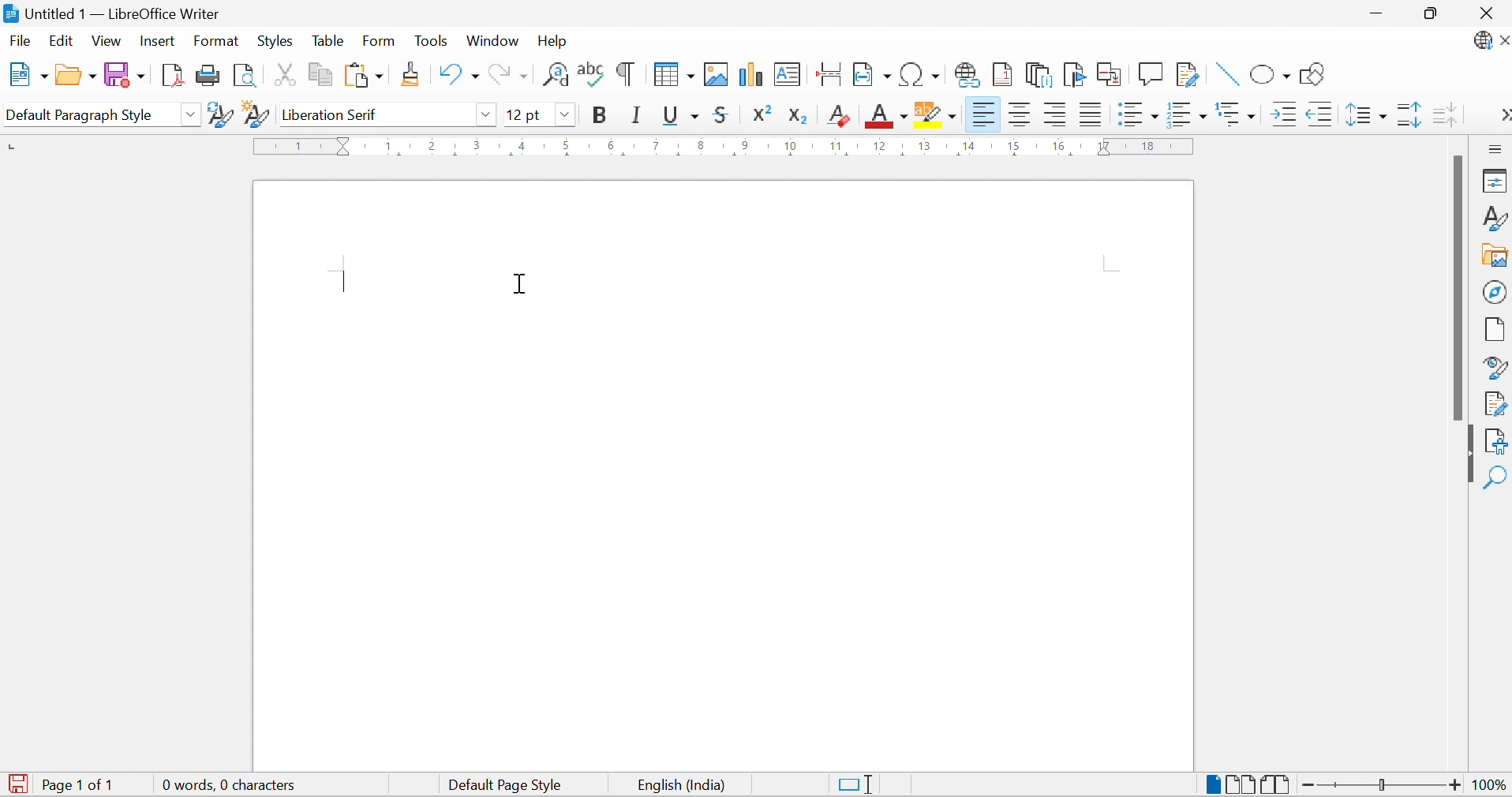  What do you see at coordinates (159, 42) in the screenshot?
I see `Insert` at bounding box center [159, 42].